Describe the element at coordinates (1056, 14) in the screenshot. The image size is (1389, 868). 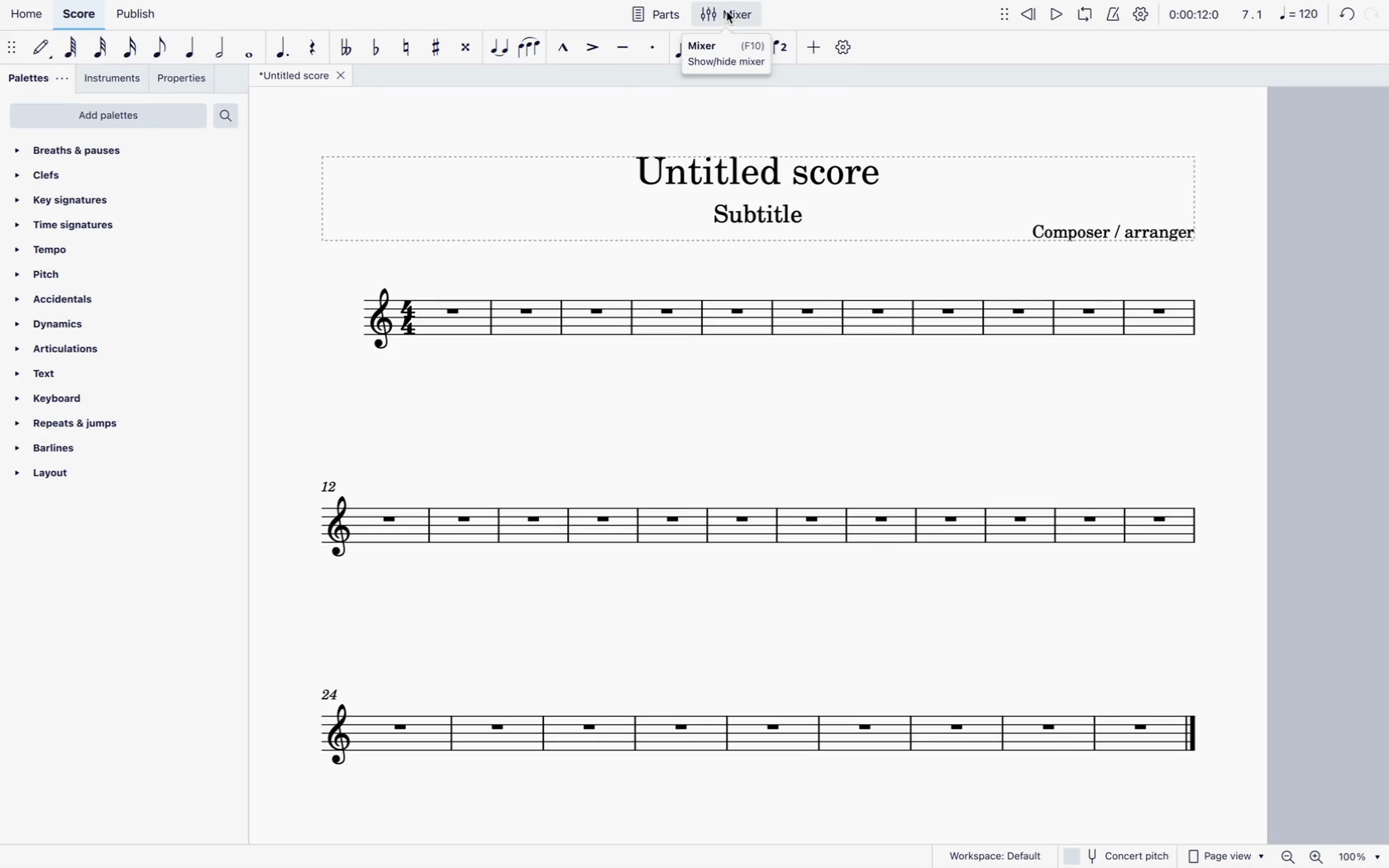
I see `play` at that location.